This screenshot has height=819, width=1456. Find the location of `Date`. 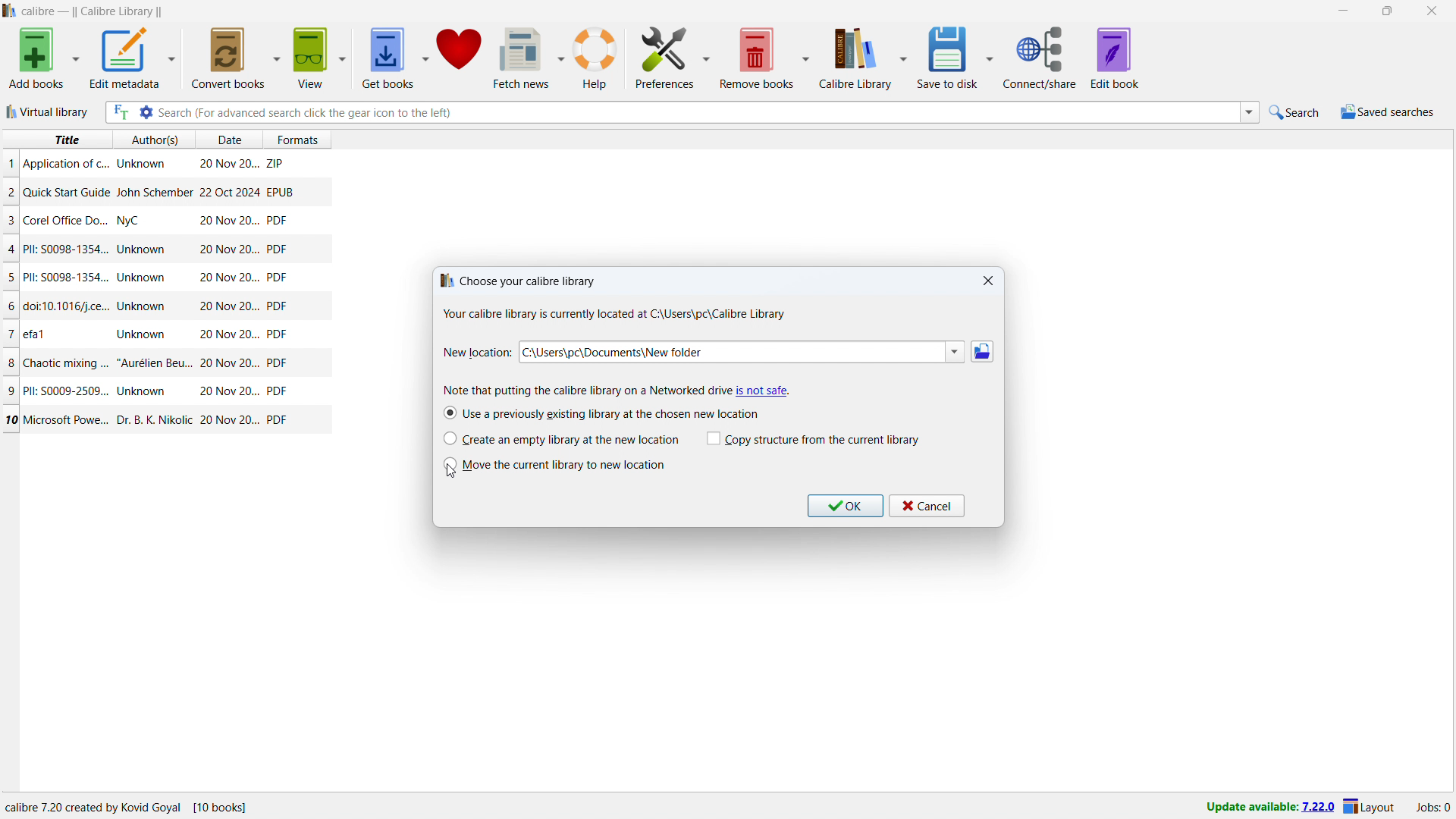

Date is located at coordinates (230, 421).